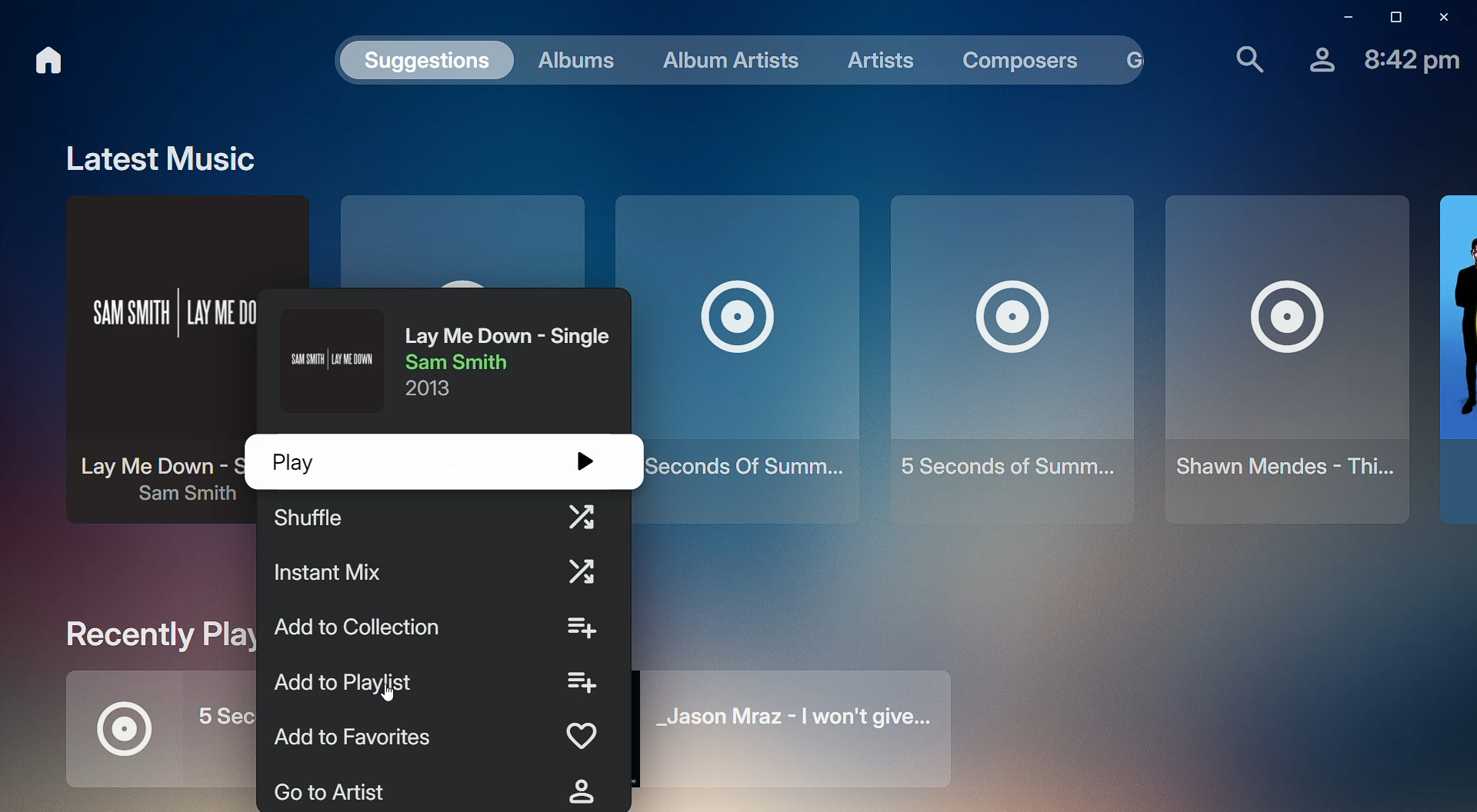  What do you see at coordinates (438, 684) in the screenshot?
I see `Add to Playlist` at bounding box center [438, 684].